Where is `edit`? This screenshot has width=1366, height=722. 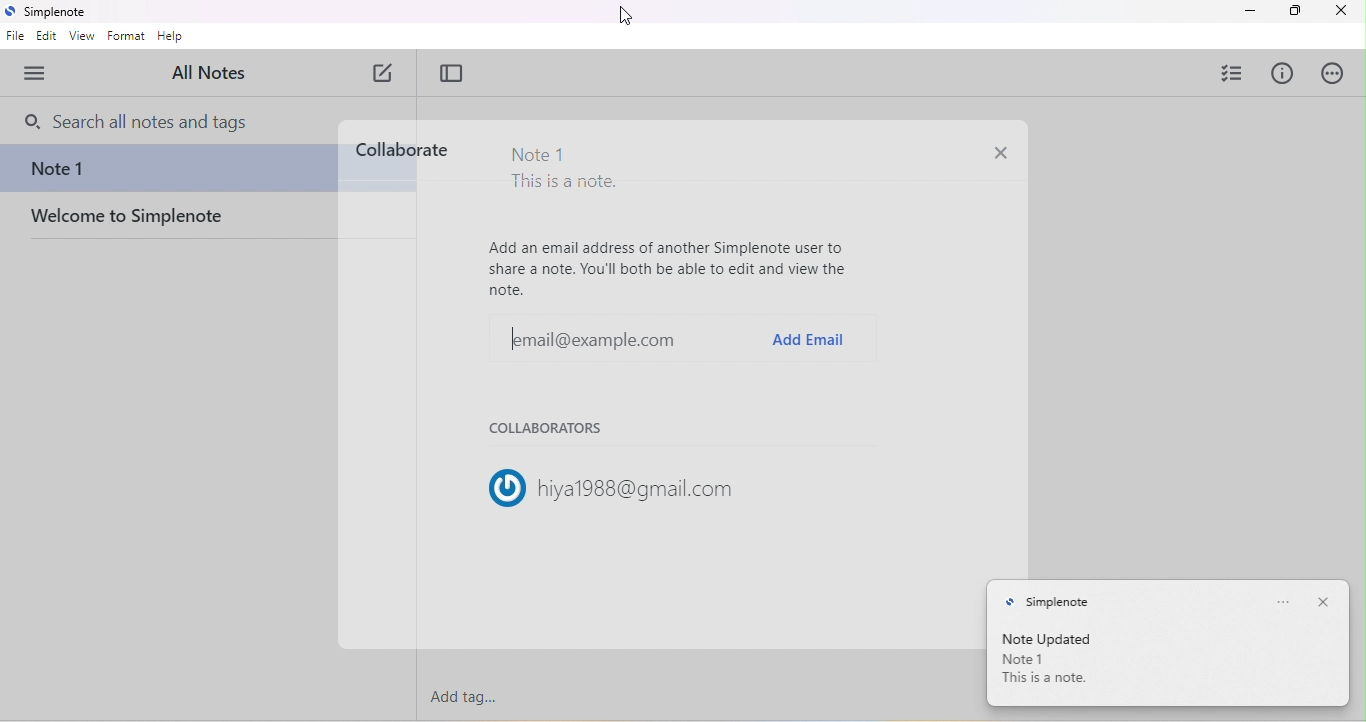
edit is located at coordinates (48, 37).